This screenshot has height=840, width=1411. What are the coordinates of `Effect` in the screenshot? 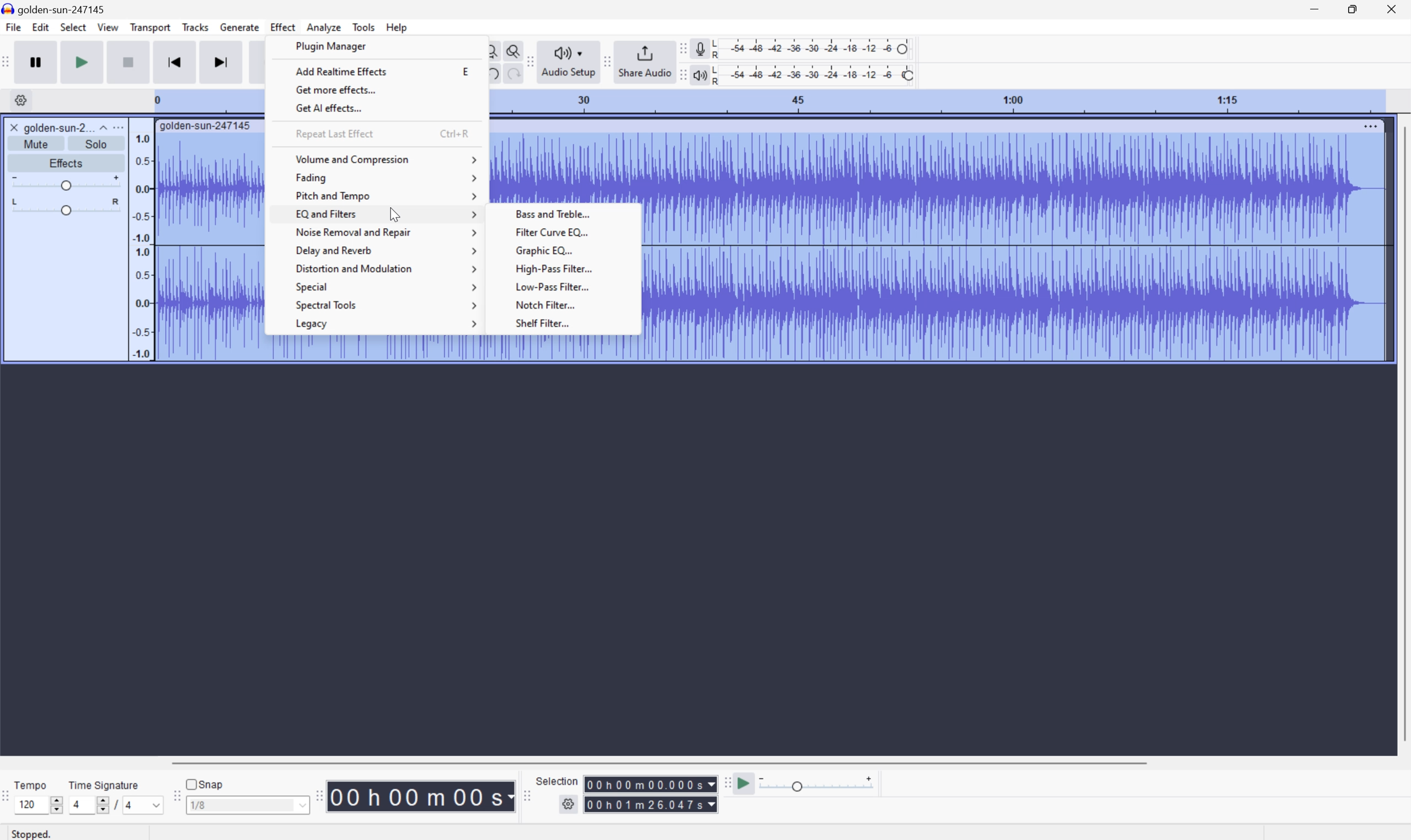 It's located at (283, 26).